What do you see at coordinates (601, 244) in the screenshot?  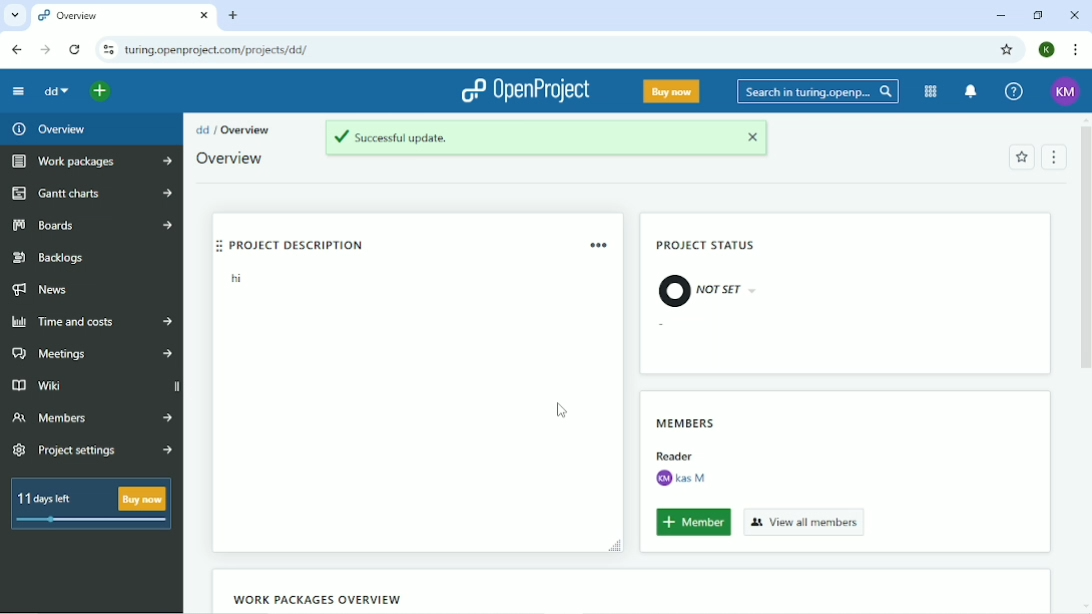 I see `More options` at bounding box center [601, 244].